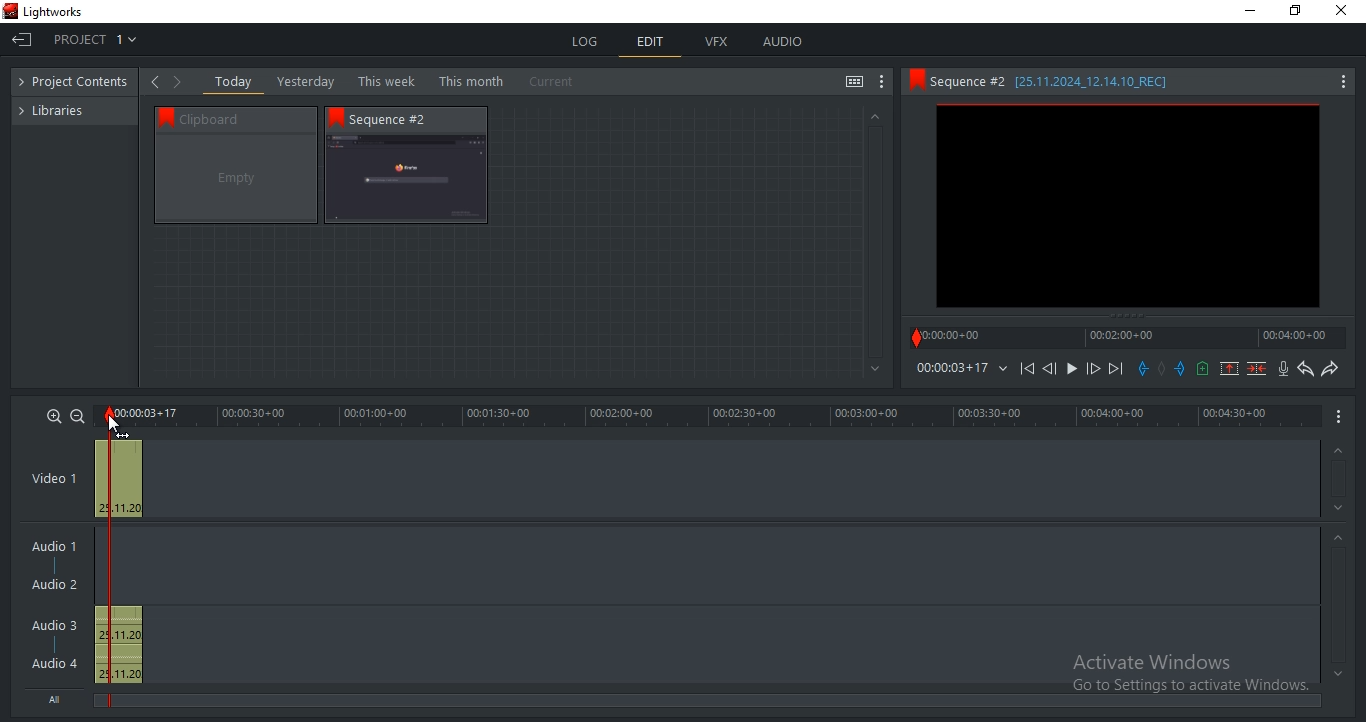 The image size is (1366, 722). Describe the element at coordinates (1091, 369) in the screenshot. I see `Nudge one frame forward` at that location.